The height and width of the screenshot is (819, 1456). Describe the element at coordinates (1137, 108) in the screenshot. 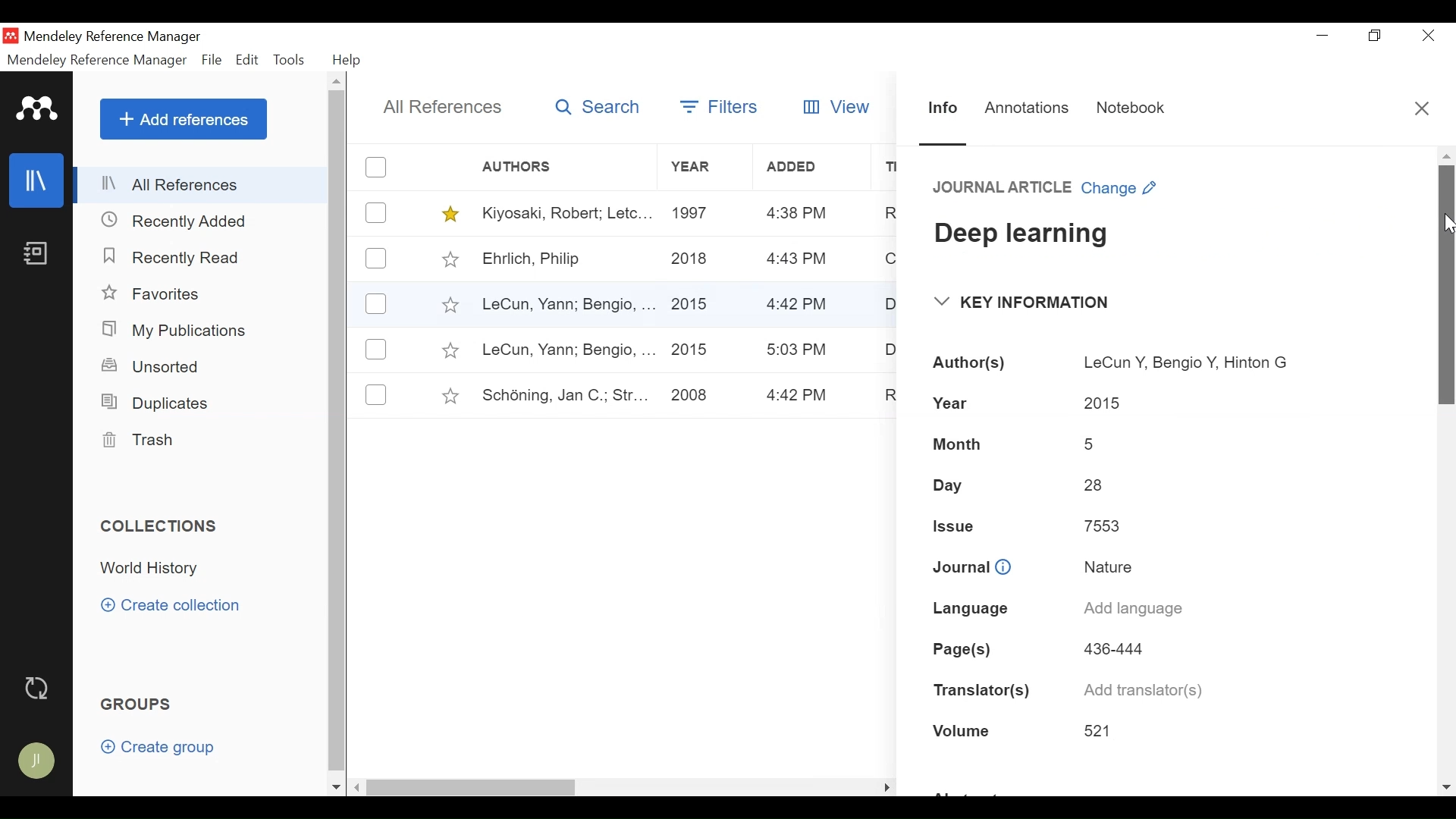

I see `Notebook` at that location.